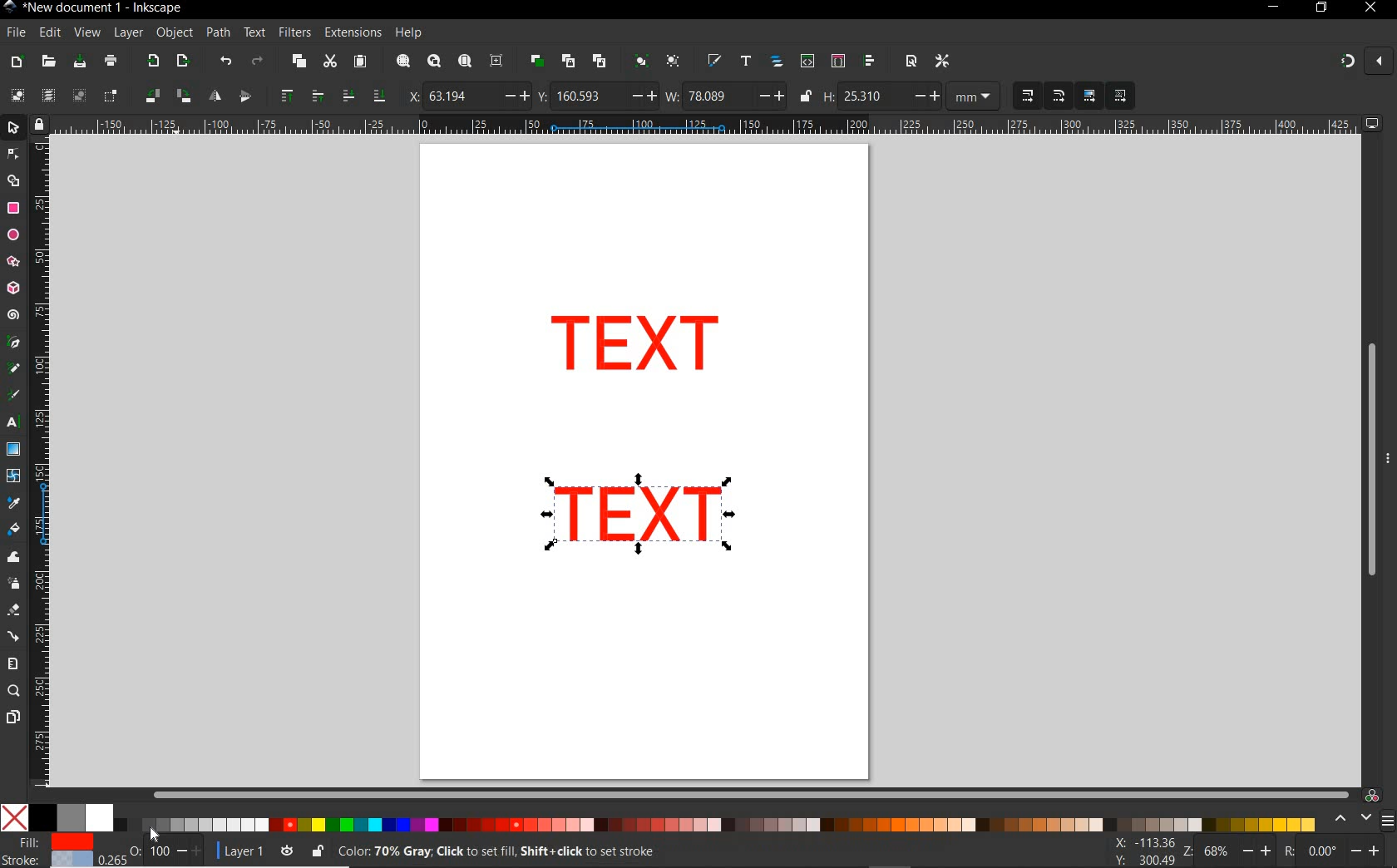 Image resolution: width=1397 pixels, height=868 pixels. What do you see at coordinates (715, 62) in the screenshot?
I see `open fill and stroke` at bounding box center [715, 62].